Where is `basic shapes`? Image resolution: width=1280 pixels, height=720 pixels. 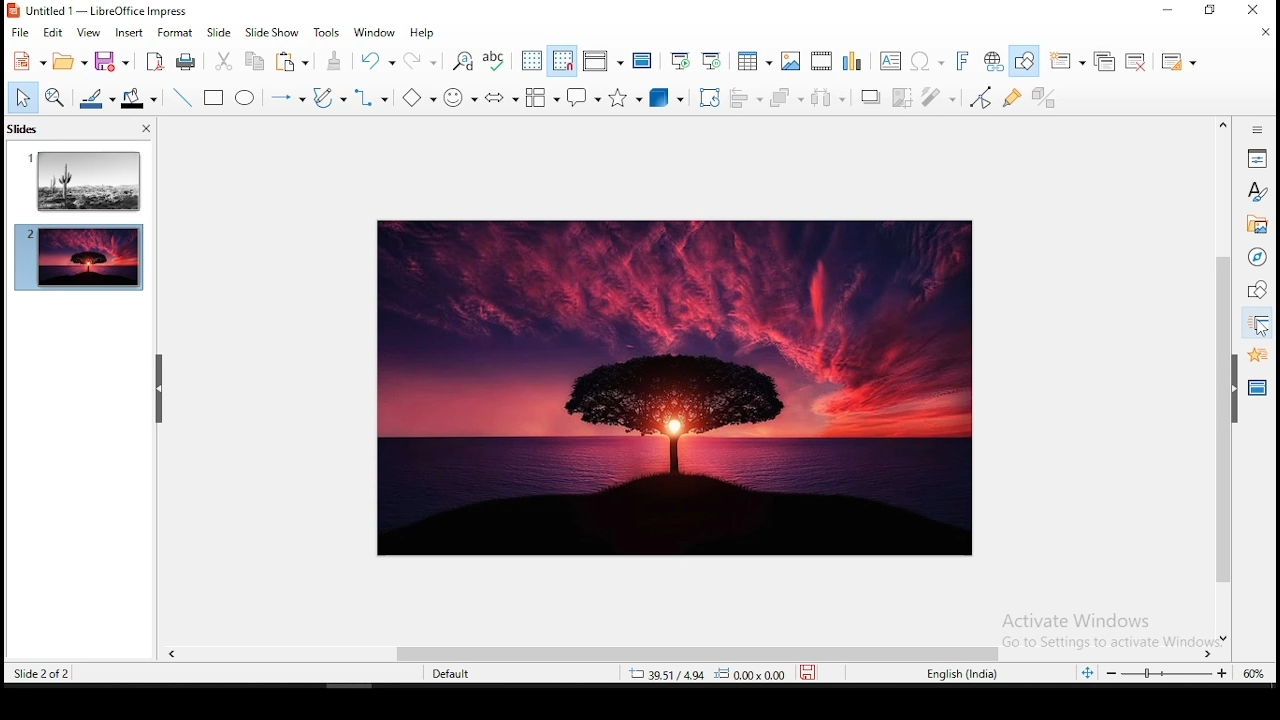
basic shapes is located at coordinates (416, 97).